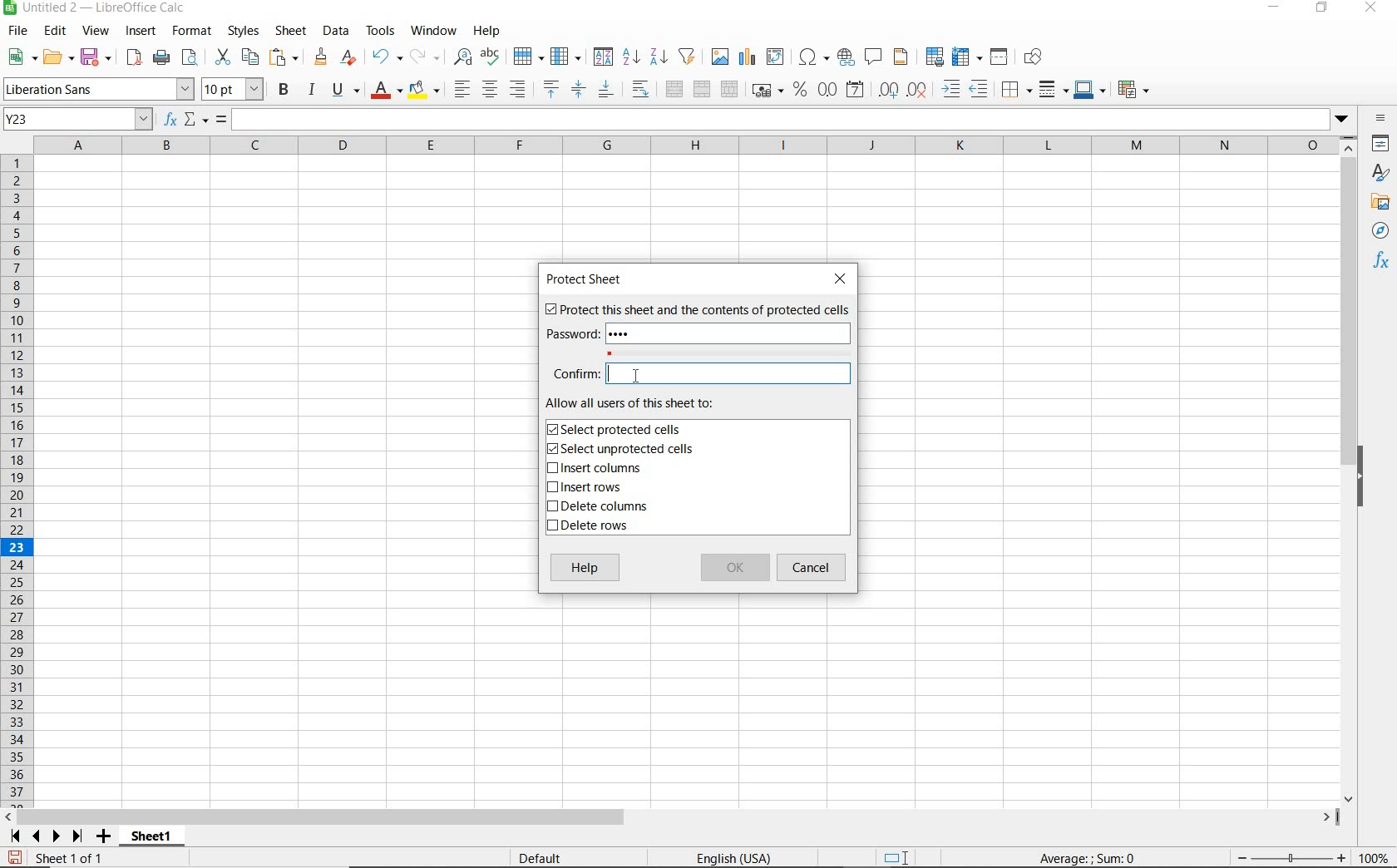 This screenshot has width=1397, height=868. I want to click on WINDOW, so click(433, 31).